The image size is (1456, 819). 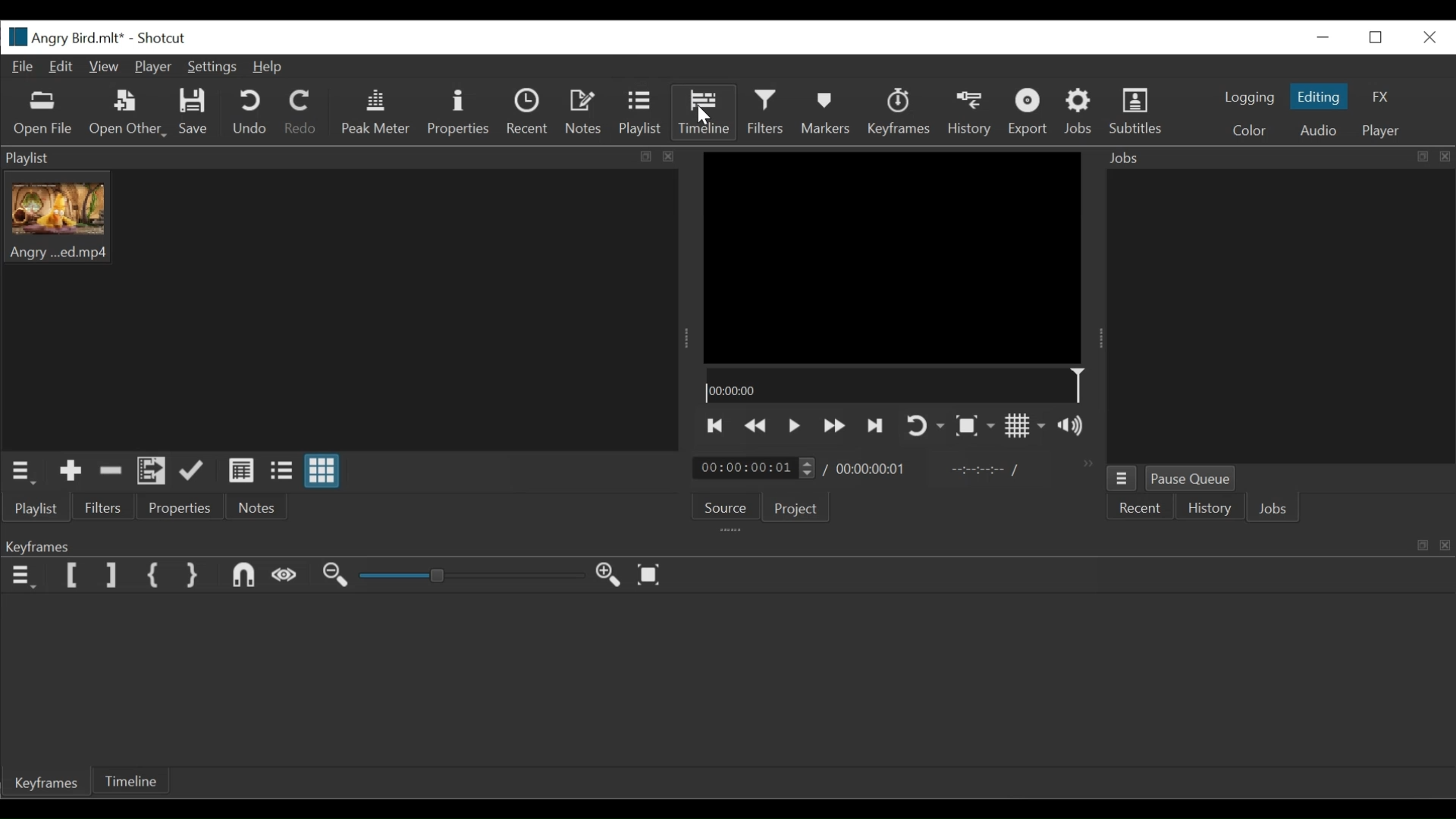 What do you see at coordinates (832, 425) in the screenshot?
I see `Play forward quickly` at bounding box center [832, 425].